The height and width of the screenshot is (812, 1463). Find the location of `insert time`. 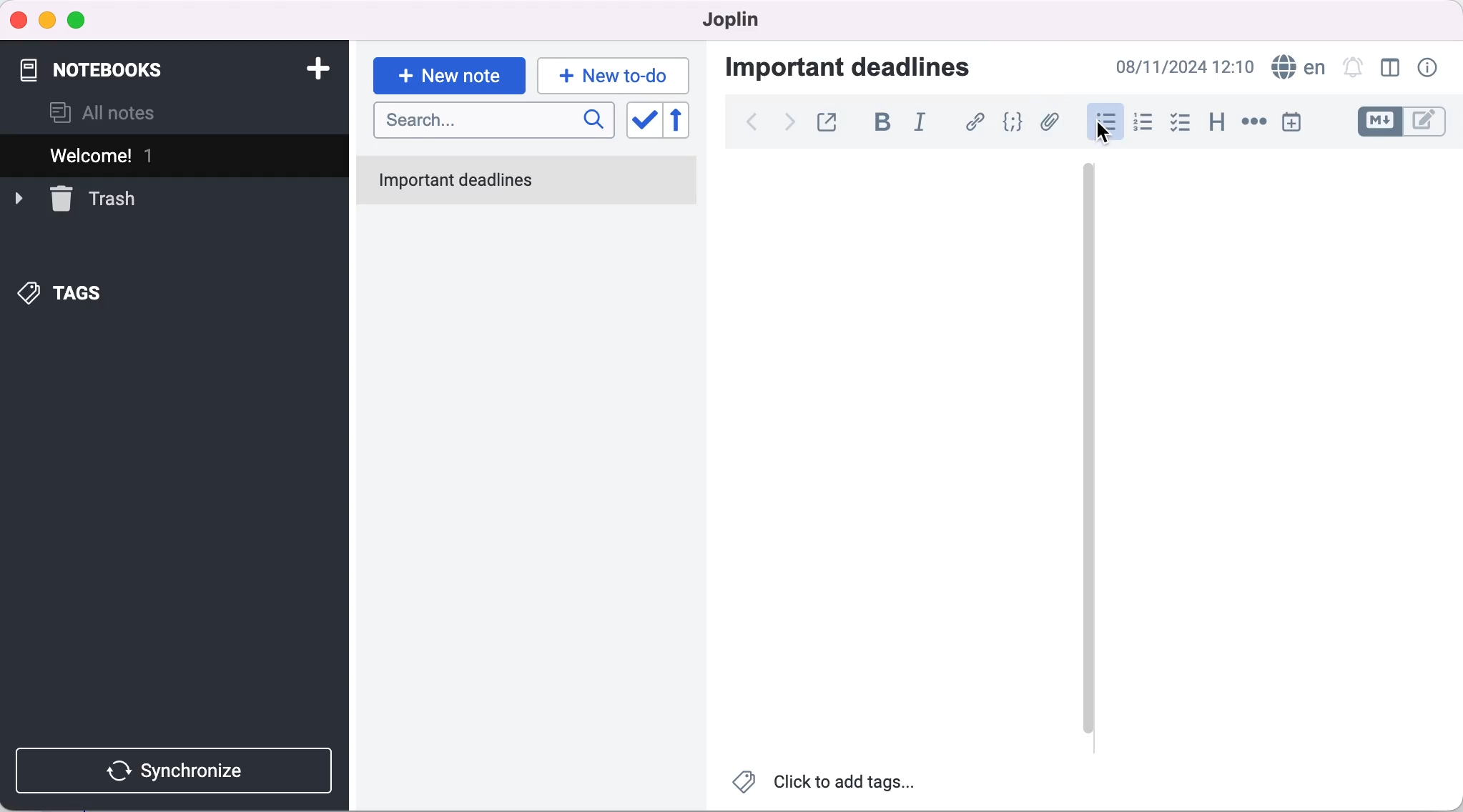

insert time is located at coordinates (1300, 122).